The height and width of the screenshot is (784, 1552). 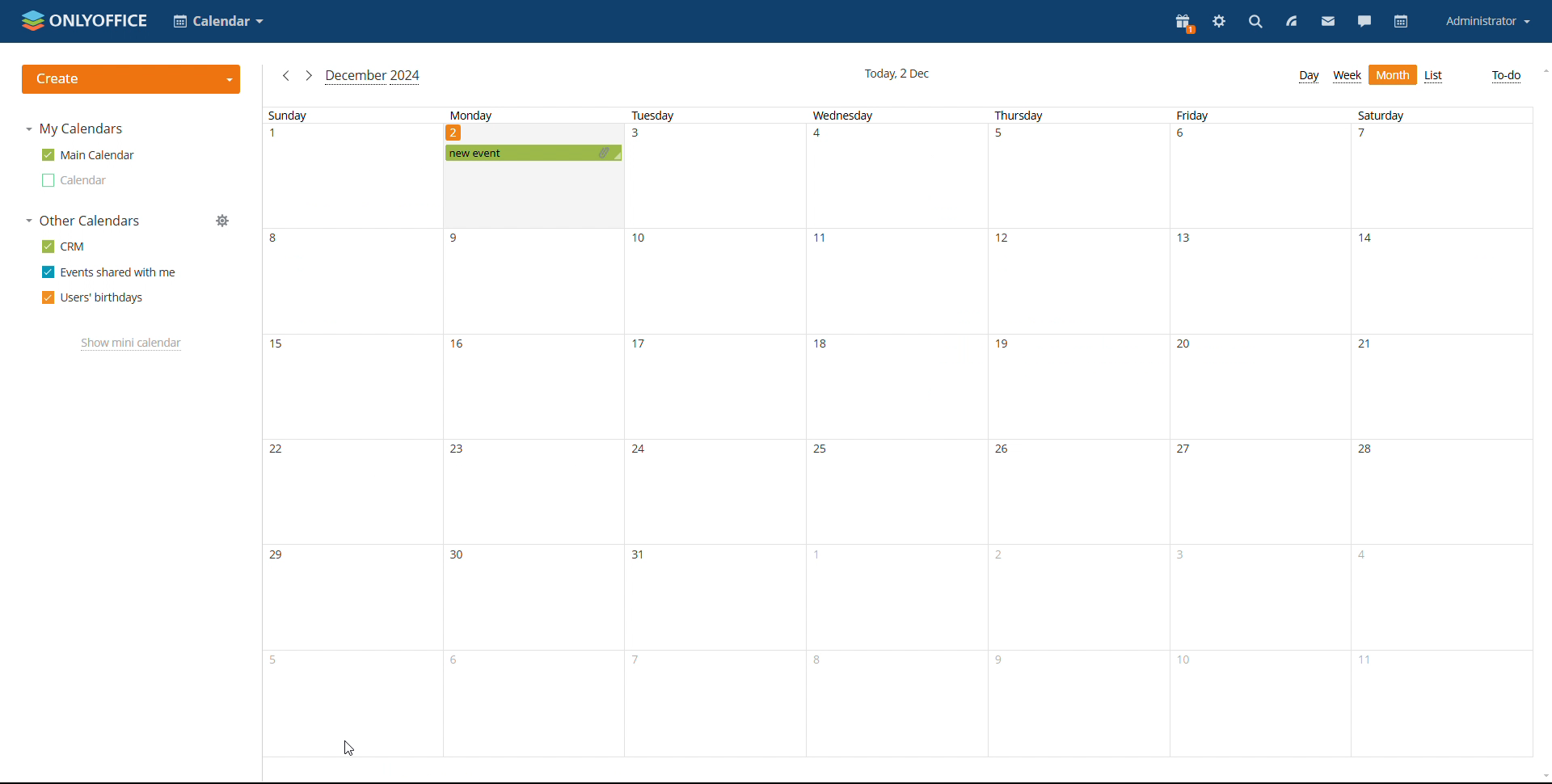 What do you see at coordinates (1505, 76) in the screenshot?
I see `to-do` at bounding box center [1505, 76].